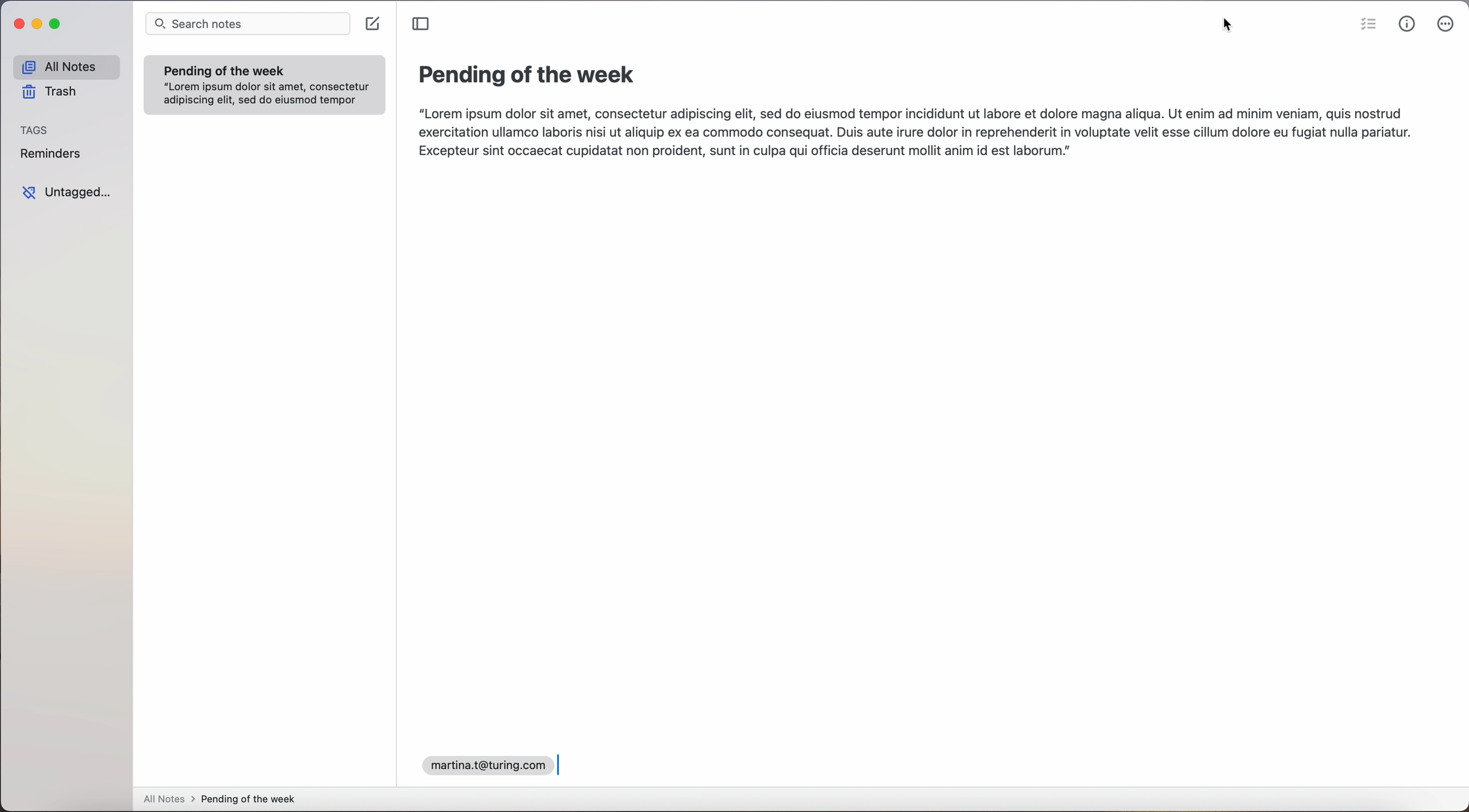  Describe the element at coordinates (1229, 27) in the screenshot. I see `cursor` at that location.